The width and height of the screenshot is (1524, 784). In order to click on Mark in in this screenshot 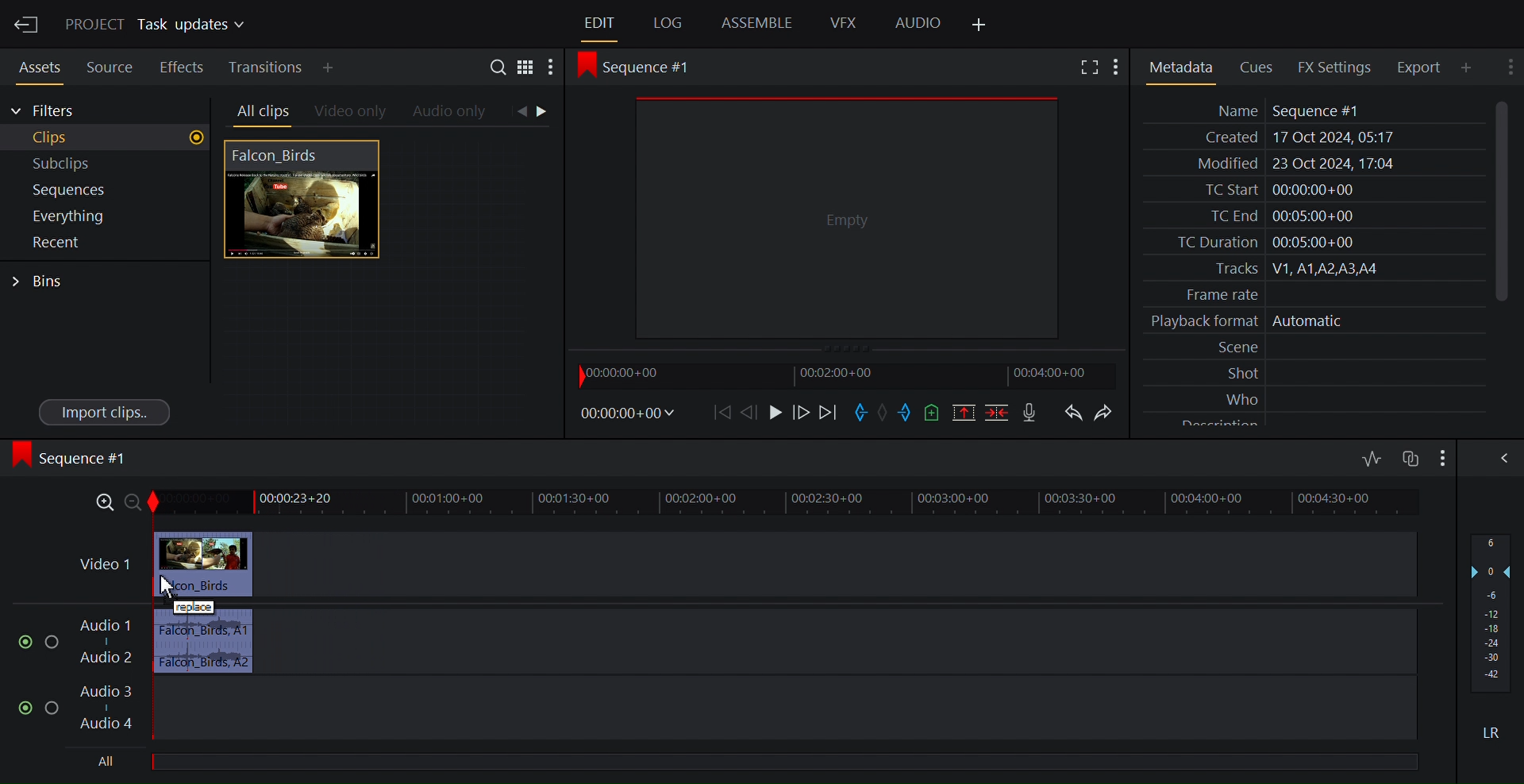, I will do `click(860, 413)`.